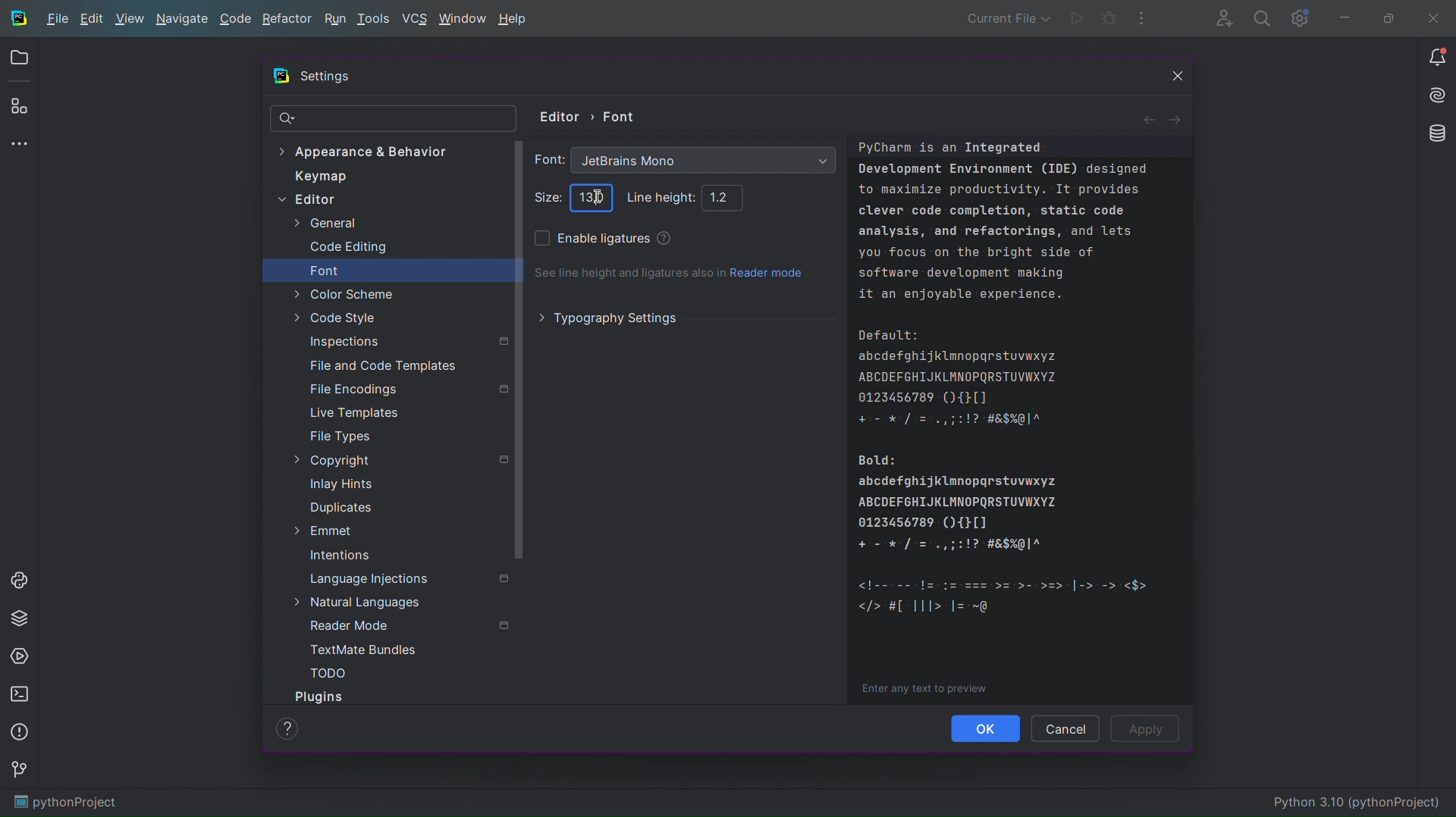 This screenshot has width=1456, height=817. What do you see at coordinates (590, 197) in the screenshot?
I see `Size: 13.0` at bounding box center [590, 197].